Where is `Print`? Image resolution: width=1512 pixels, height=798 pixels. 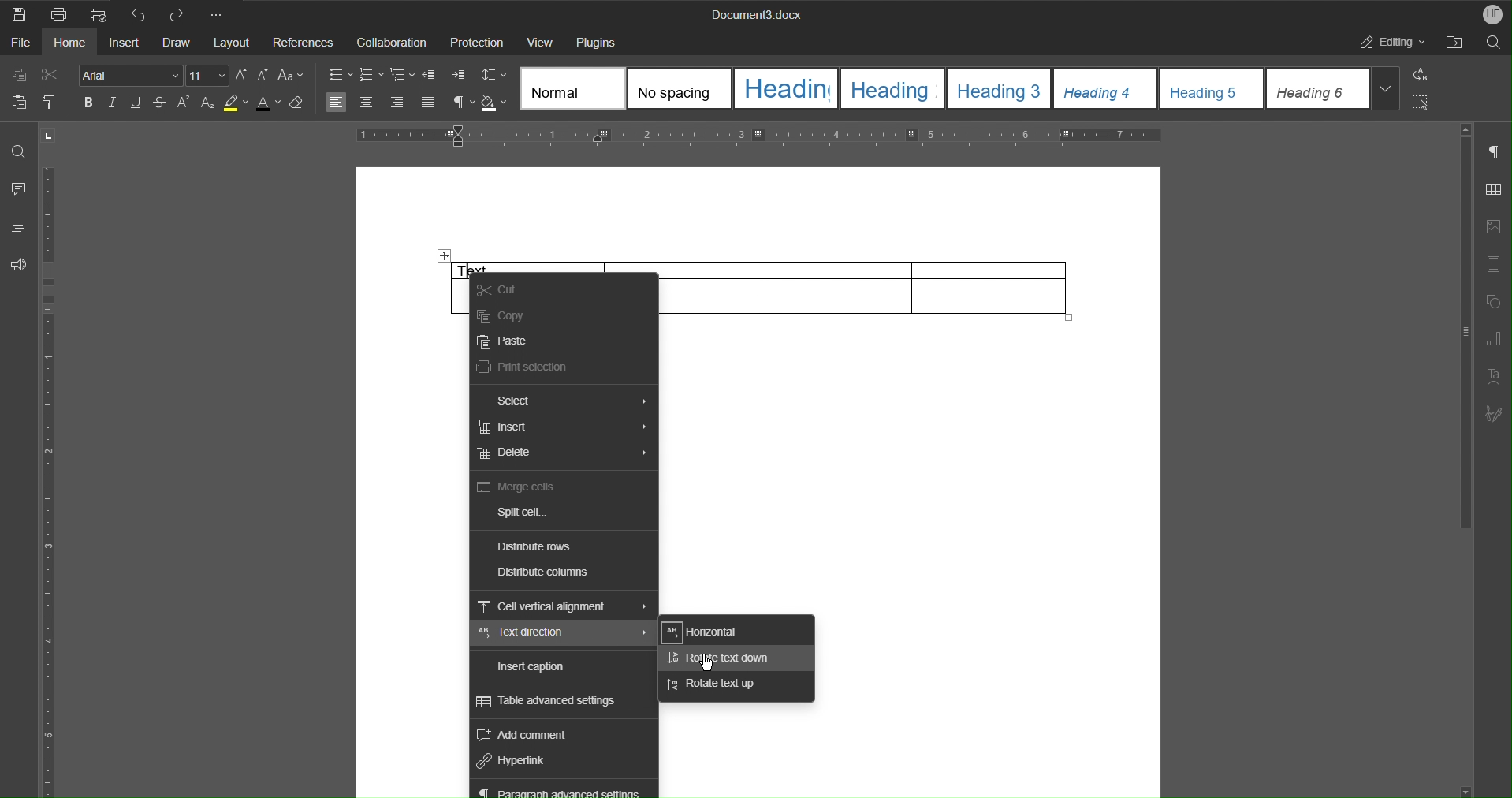 Print is located at coordinates (56, 13).